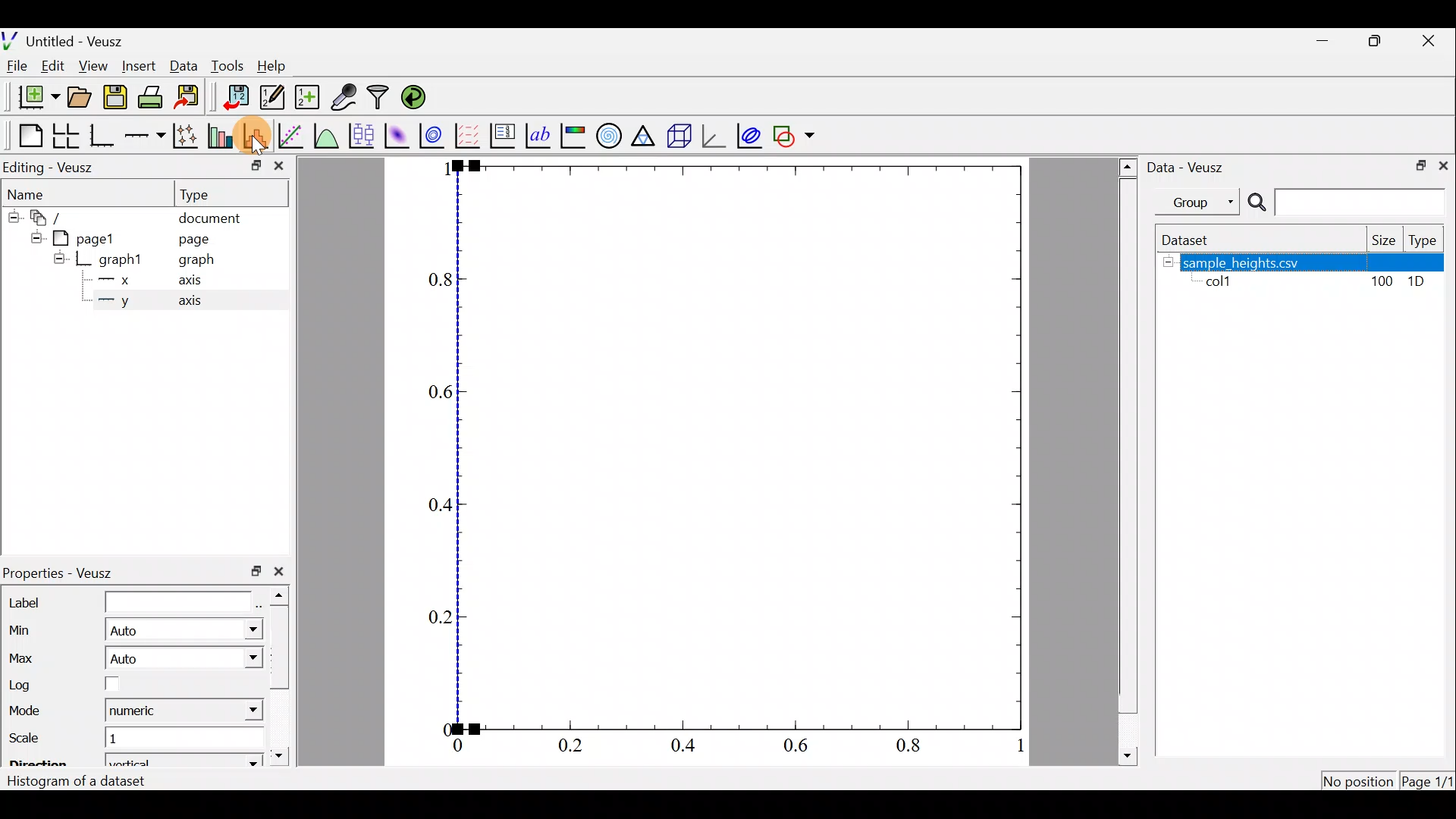  What do you see at coordinates (101, 136) in the screenshot?
I see `Base graph` at bounding box center [101, 136].